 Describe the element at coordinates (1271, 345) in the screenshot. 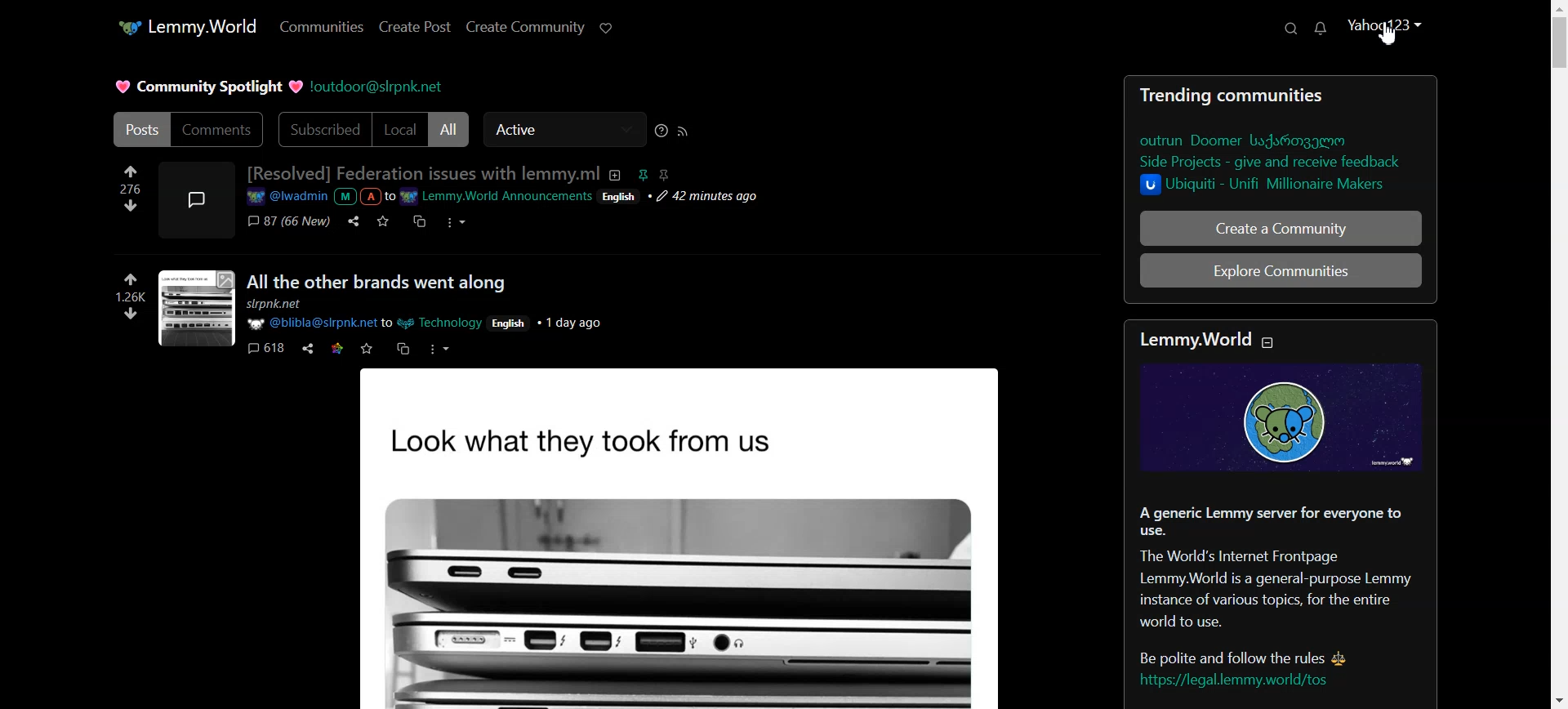

I see `Collapse` at that location.